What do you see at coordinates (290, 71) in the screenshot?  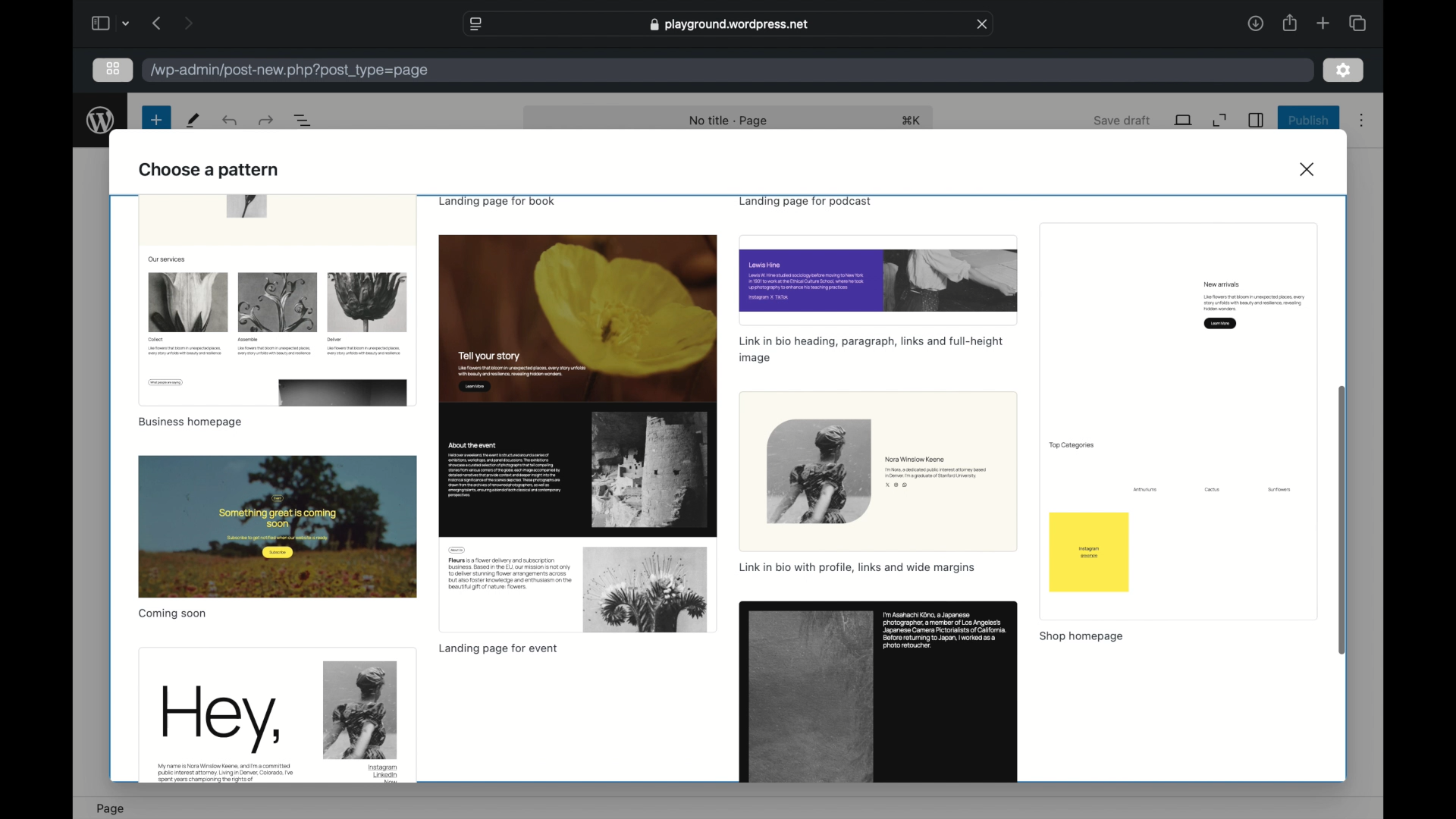 I see `wordpress address` at bounding box center [290, 71].